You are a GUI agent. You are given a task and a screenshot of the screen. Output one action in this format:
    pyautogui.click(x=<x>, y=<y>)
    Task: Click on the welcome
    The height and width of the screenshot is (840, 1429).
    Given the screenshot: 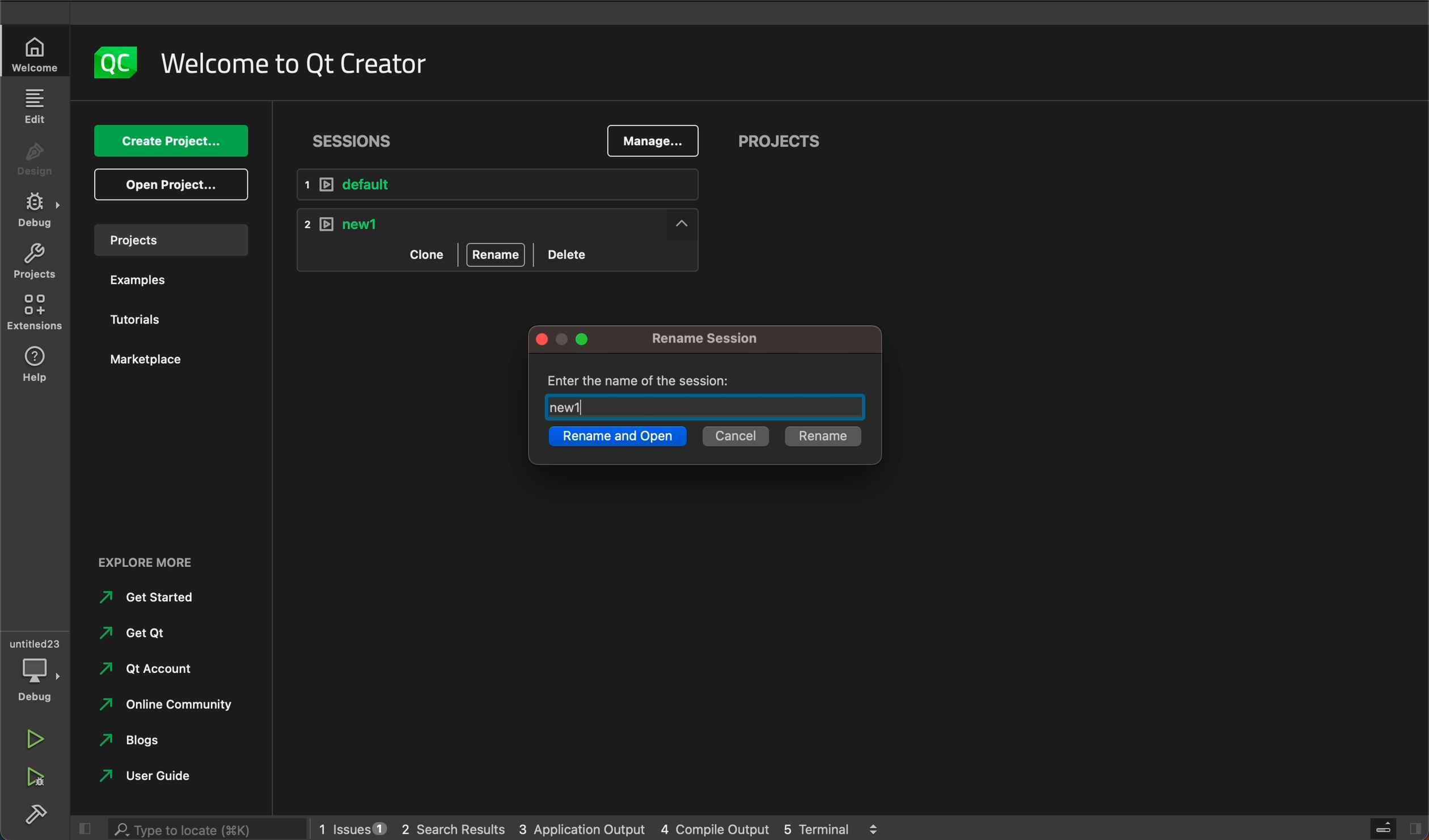 What is the action you would take?
    pyautogui.click(x=36, y=54)
    